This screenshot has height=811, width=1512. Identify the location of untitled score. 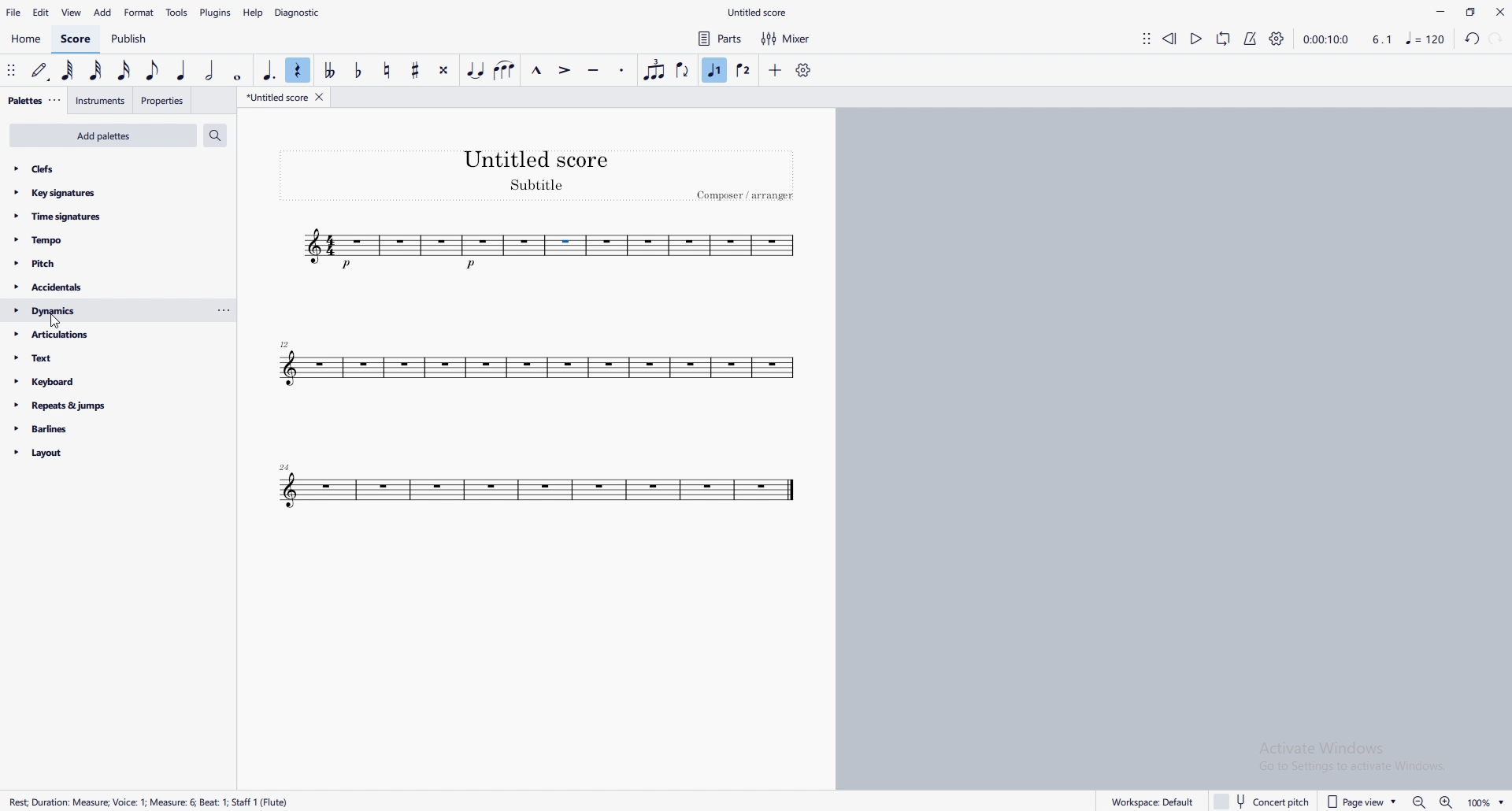
(278, 98).